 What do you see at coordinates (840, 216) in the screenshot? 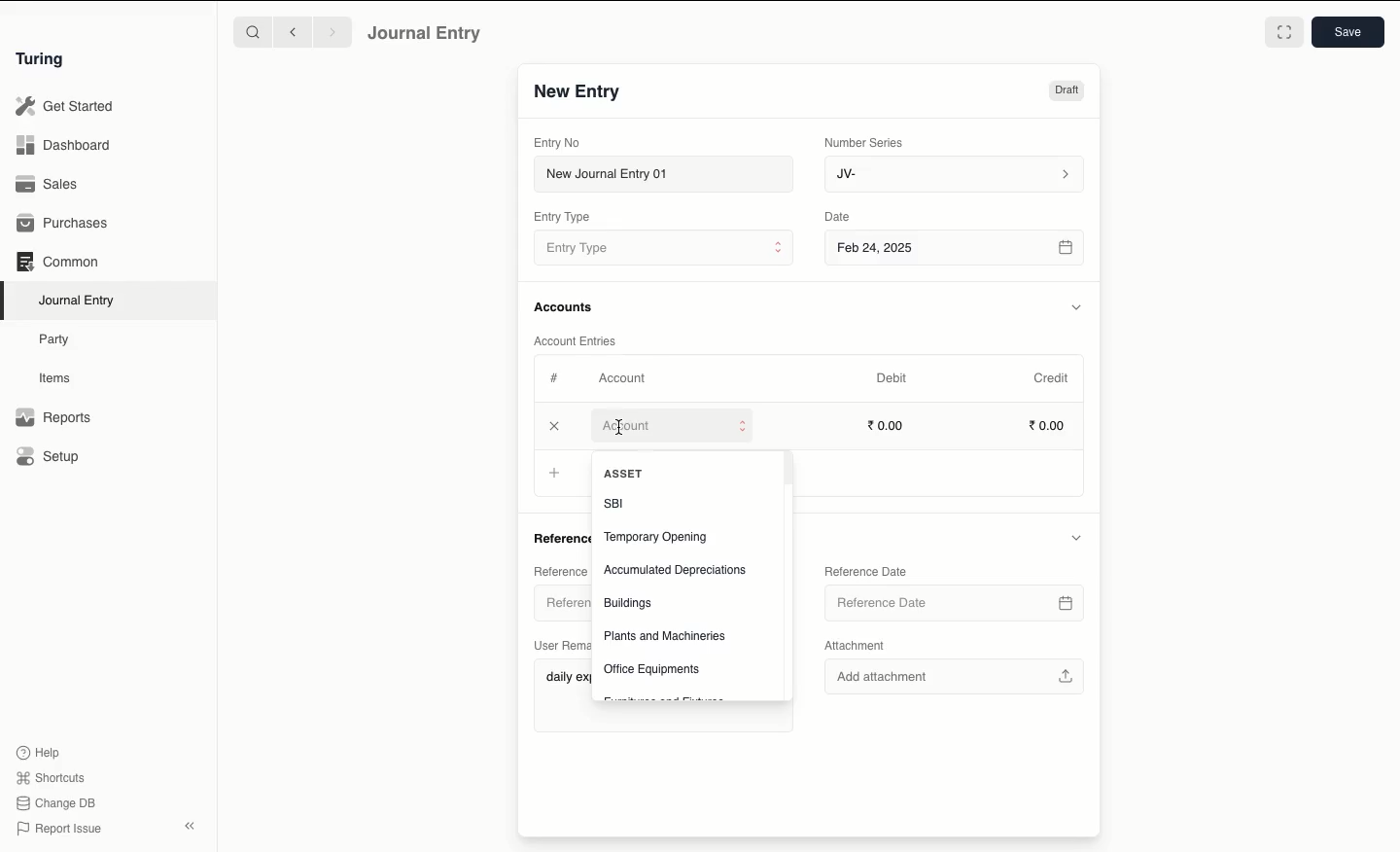
I see `Date` at bounding box center [840, 216].